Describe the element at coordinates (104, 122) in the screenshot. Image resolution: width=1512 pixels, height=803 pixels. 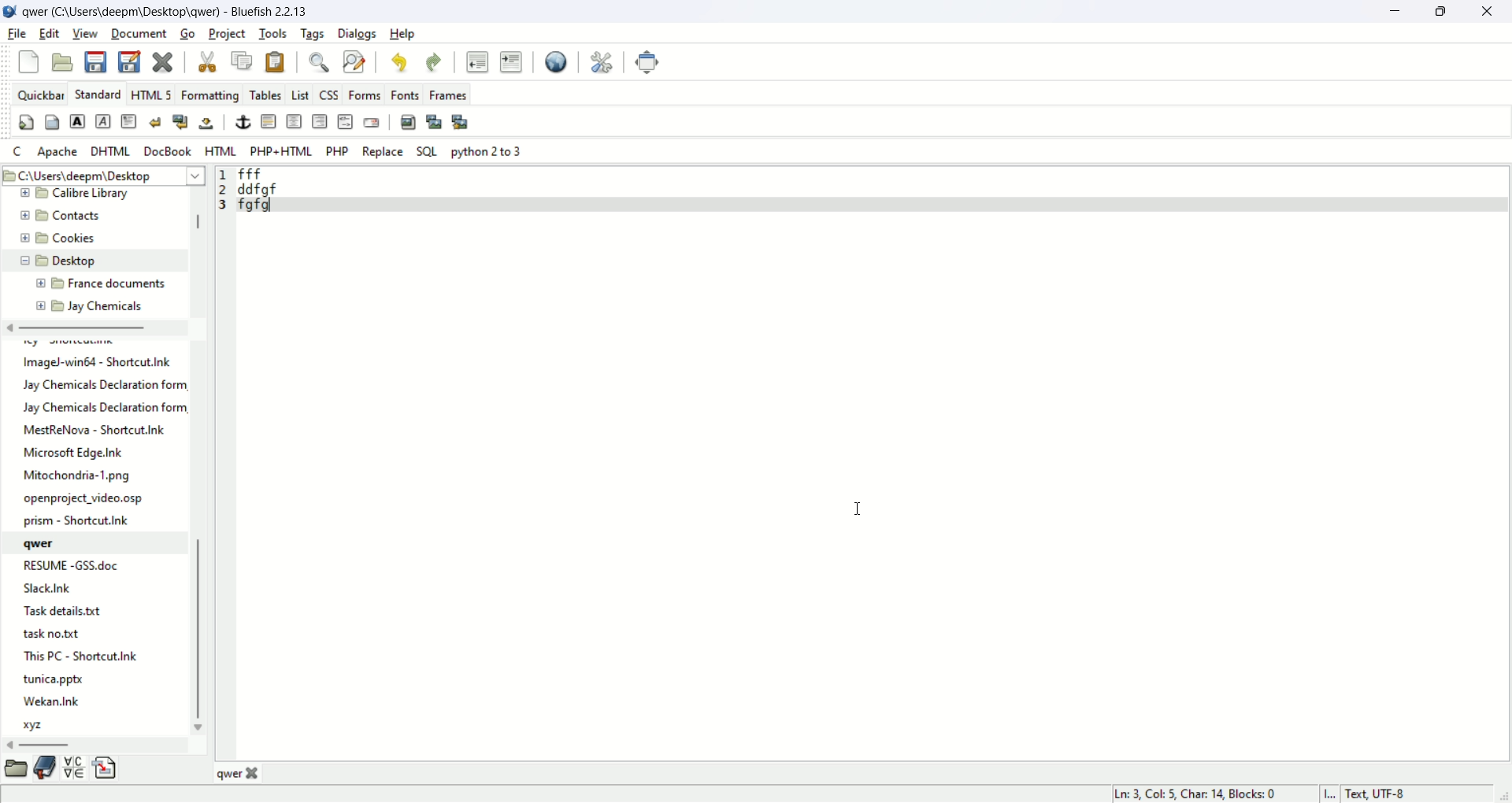
I see `emphasis` at that location.